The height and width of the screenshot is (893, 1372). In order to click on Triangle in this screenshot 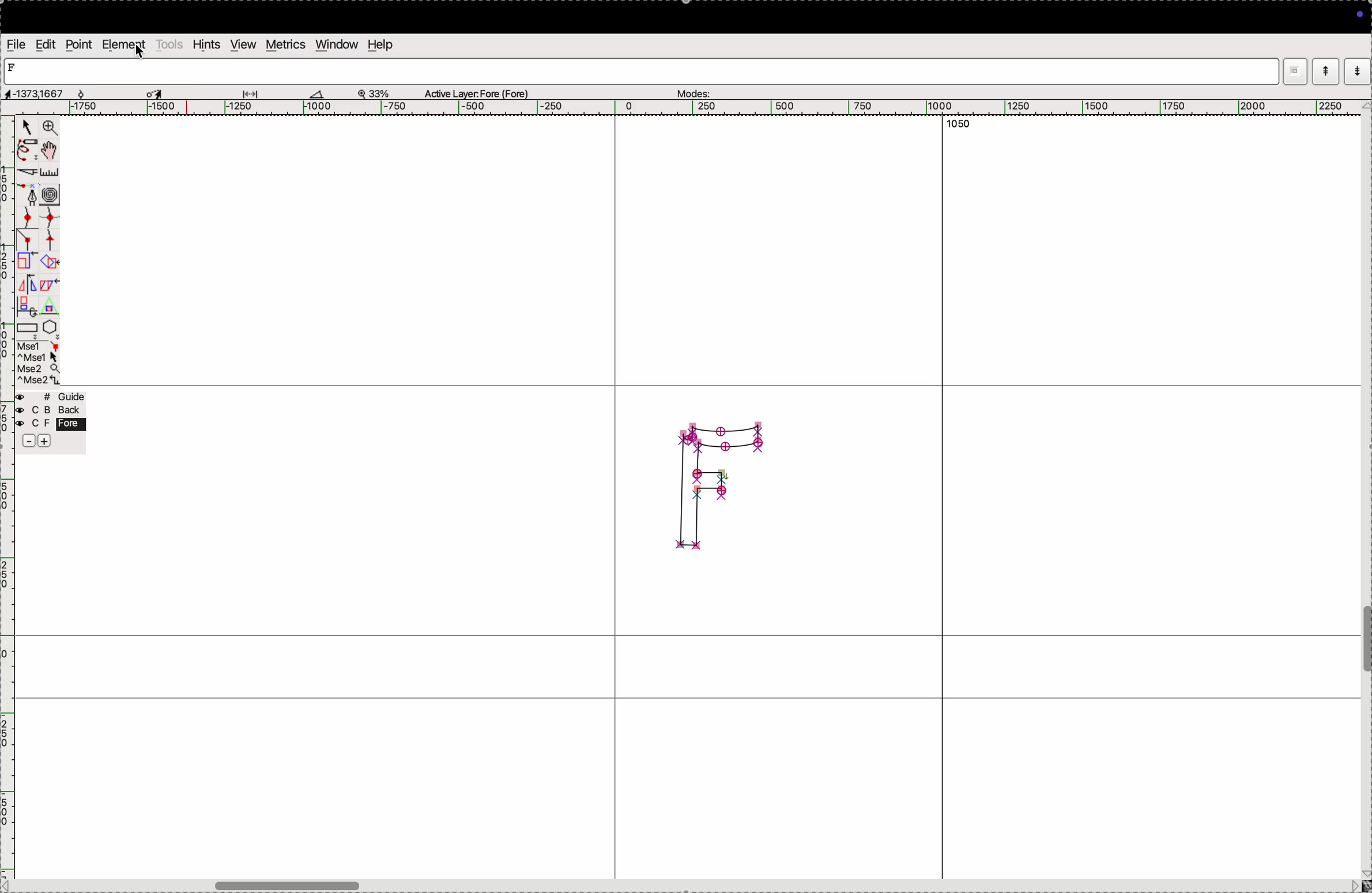, I will do `click(49, 306)`.